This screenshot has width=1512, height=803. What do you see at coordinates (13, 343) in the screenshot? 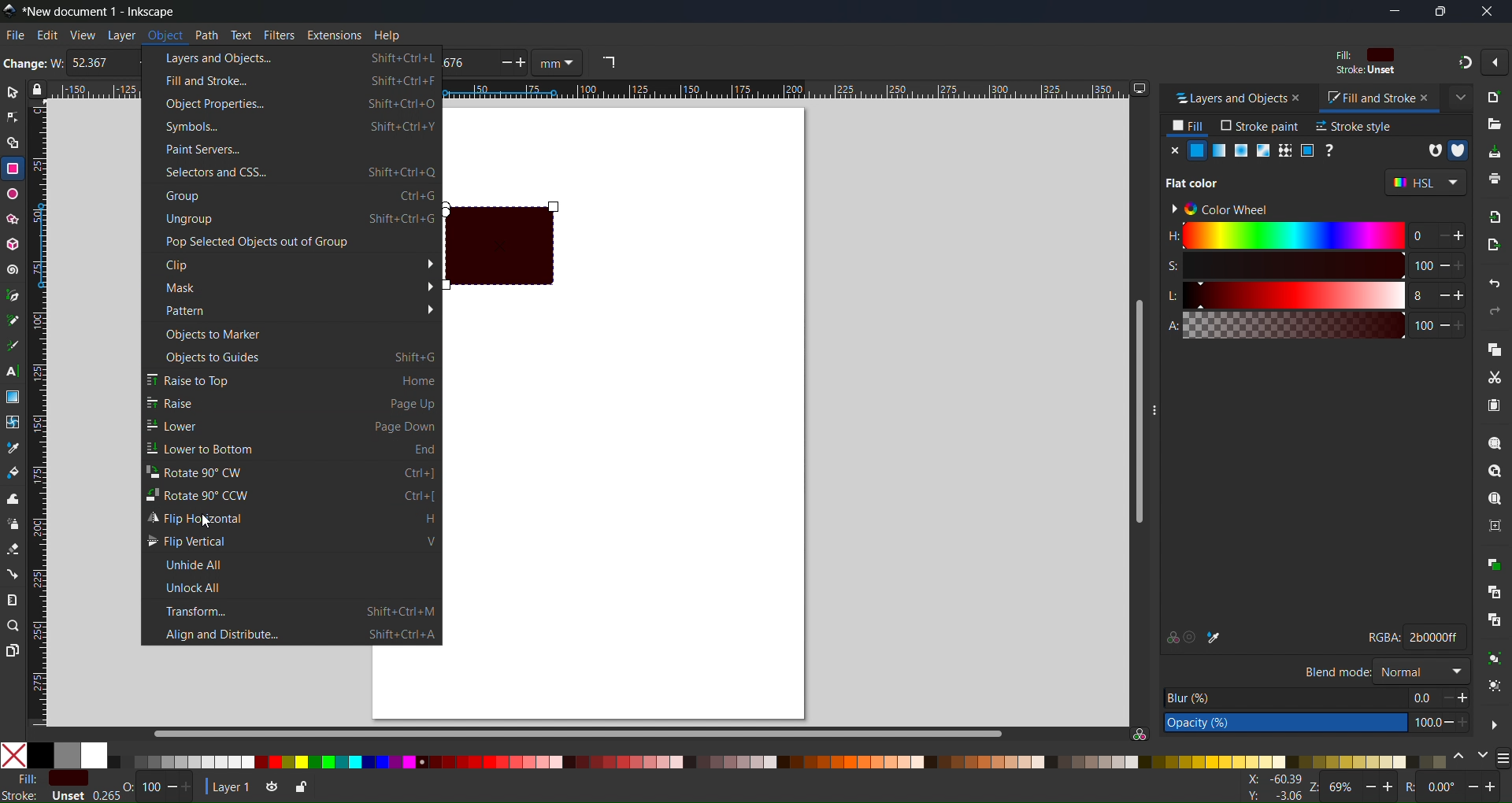
I see `Calligraphy tool` at bounding box center [13, 343].